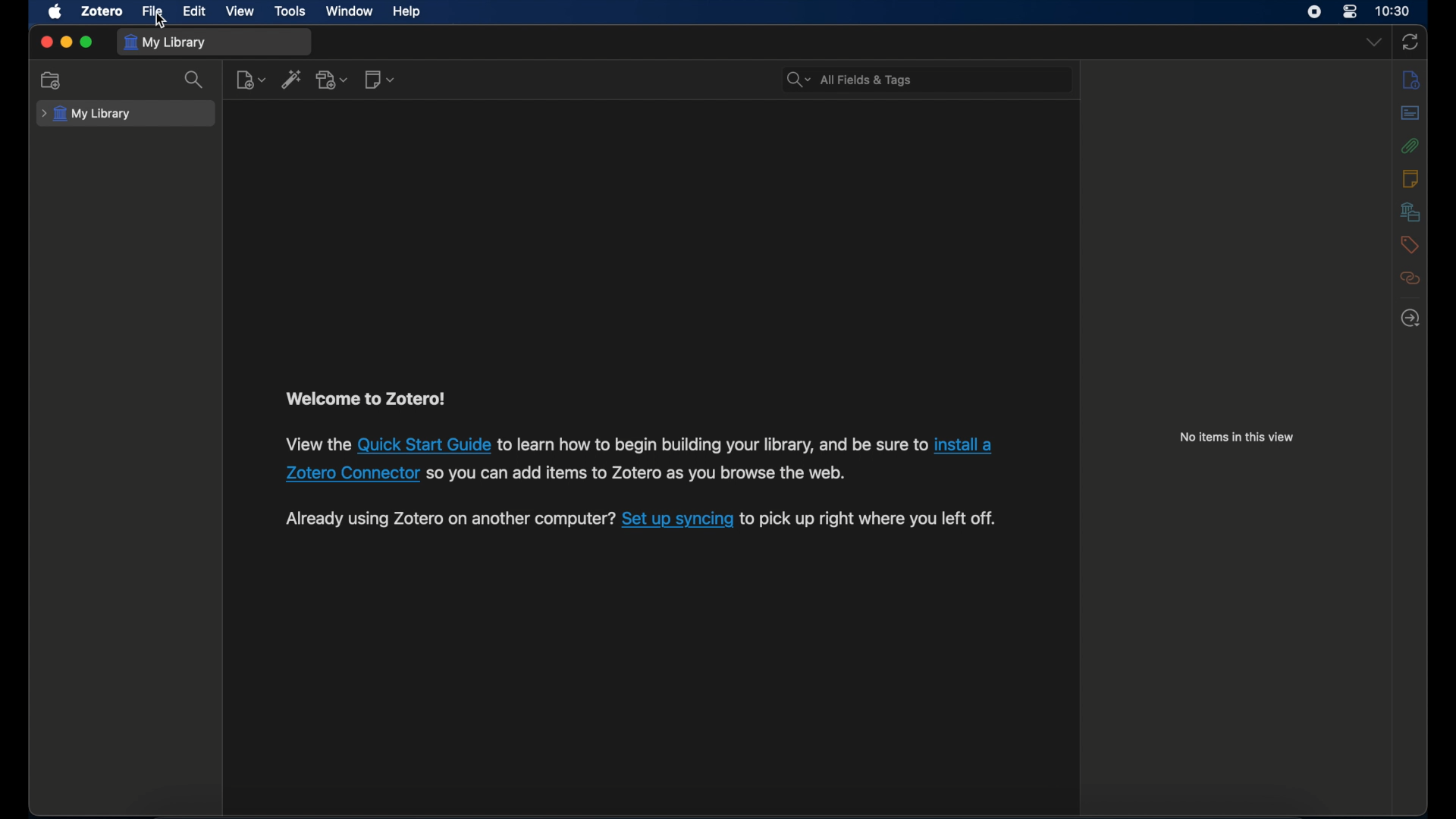 This screenshot has width=1456, height=819. I want to click on dropdown, so click(1374, 42).